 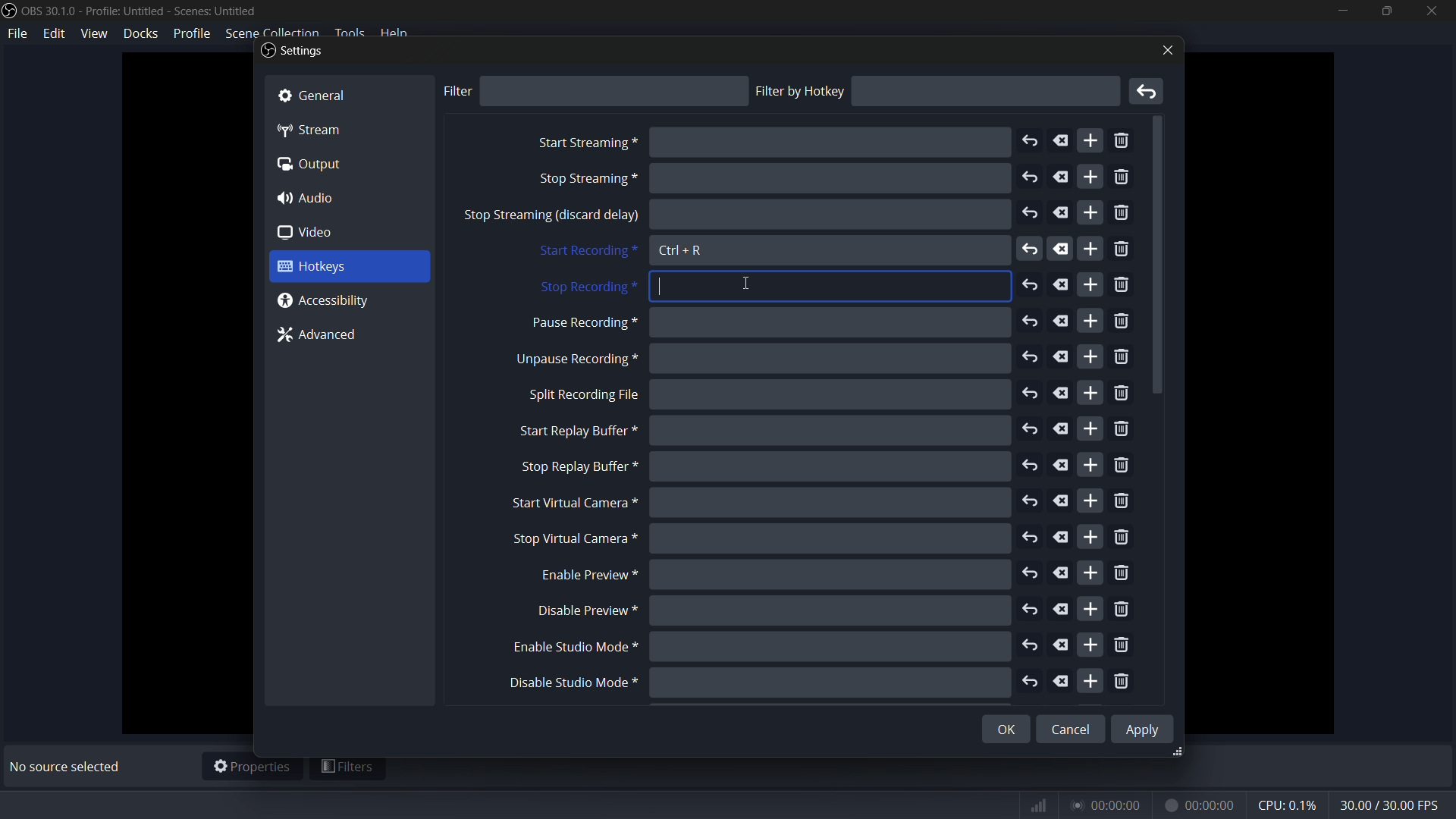 I want to click on & General, so click(x=327, y=93).